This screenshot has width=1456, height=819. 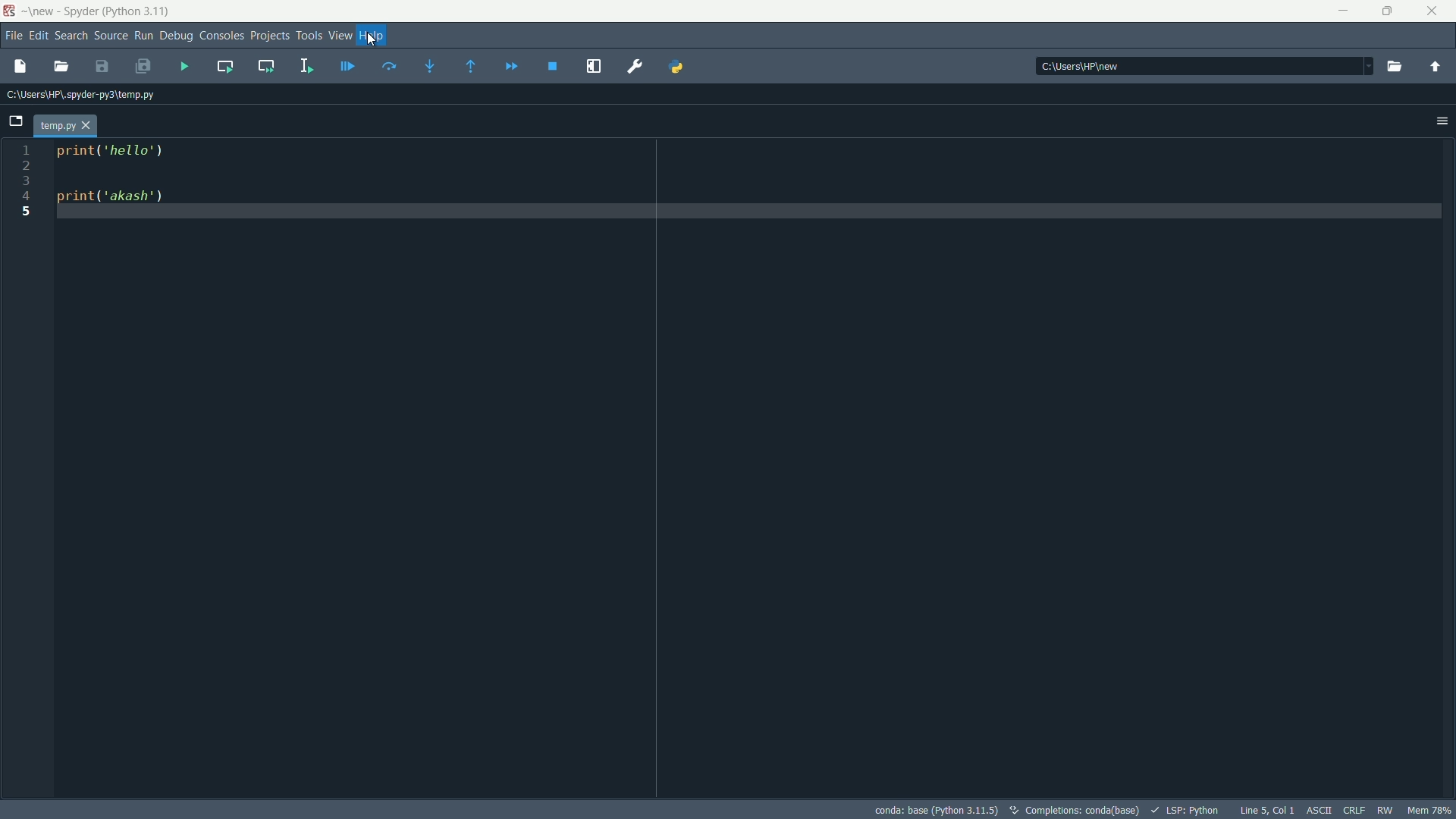 I want to click on run file, so click(x=179, y=66).